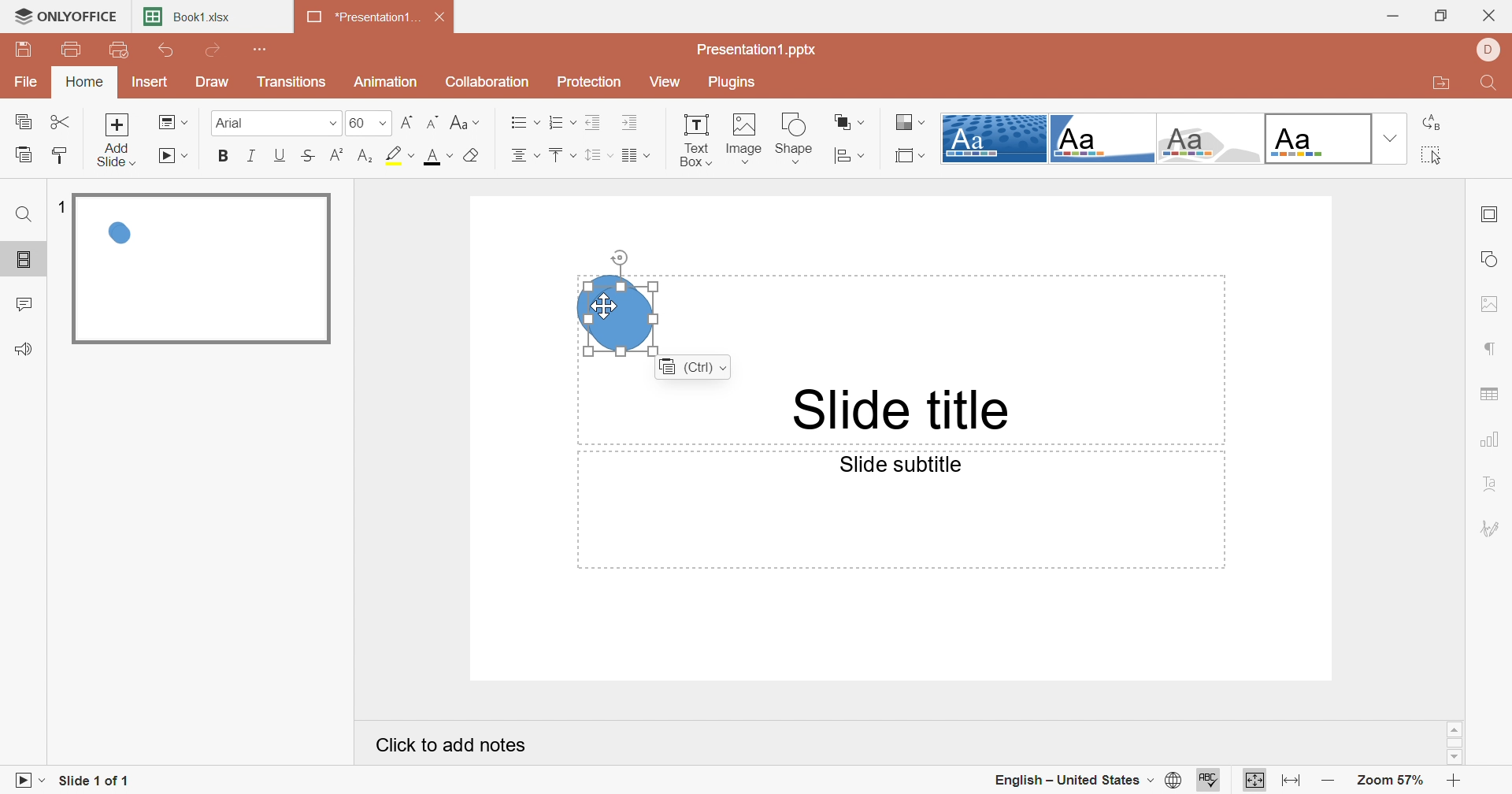  Describe the element at coordinates (757, 48) in the screenshot. I see `Presentation.pptx` at that location.